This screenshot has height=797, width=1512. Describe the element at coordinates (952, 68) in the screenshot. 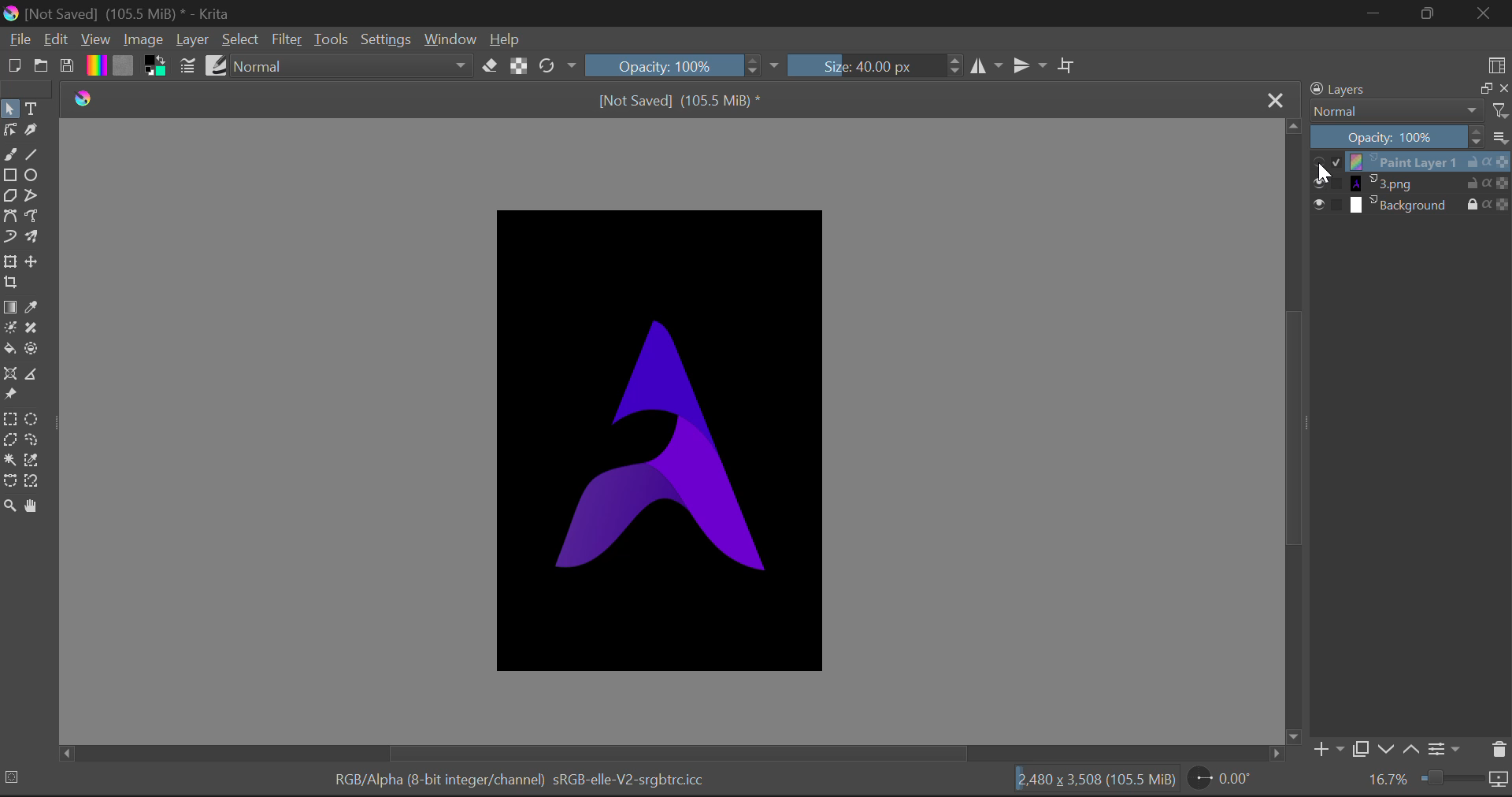

I see `Increase or decrease size` at that location.